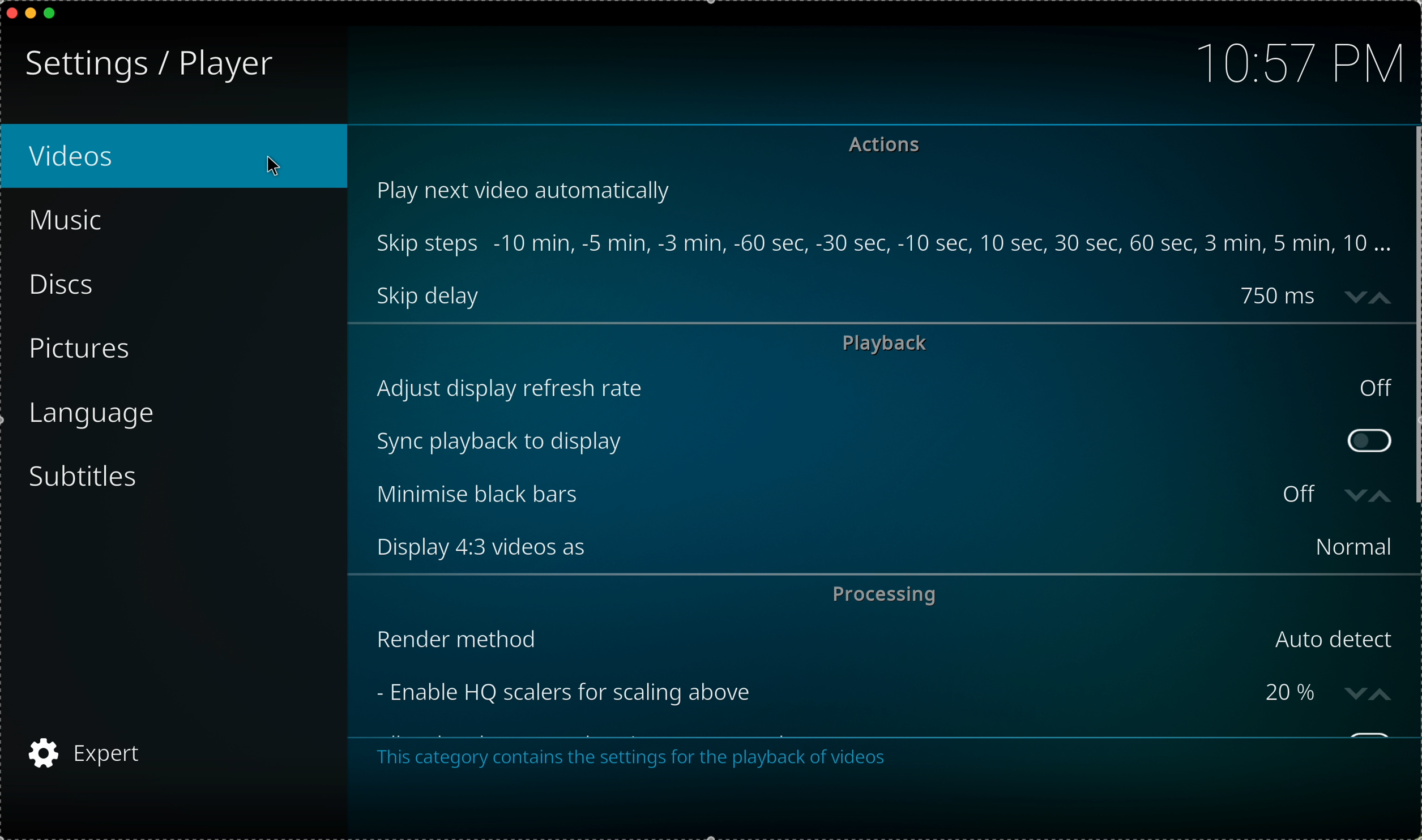 The height and width of the screenshot is (840, 1422). Describe the element at coordinates (79, 224) in the screenshot. I see `music` at that location.